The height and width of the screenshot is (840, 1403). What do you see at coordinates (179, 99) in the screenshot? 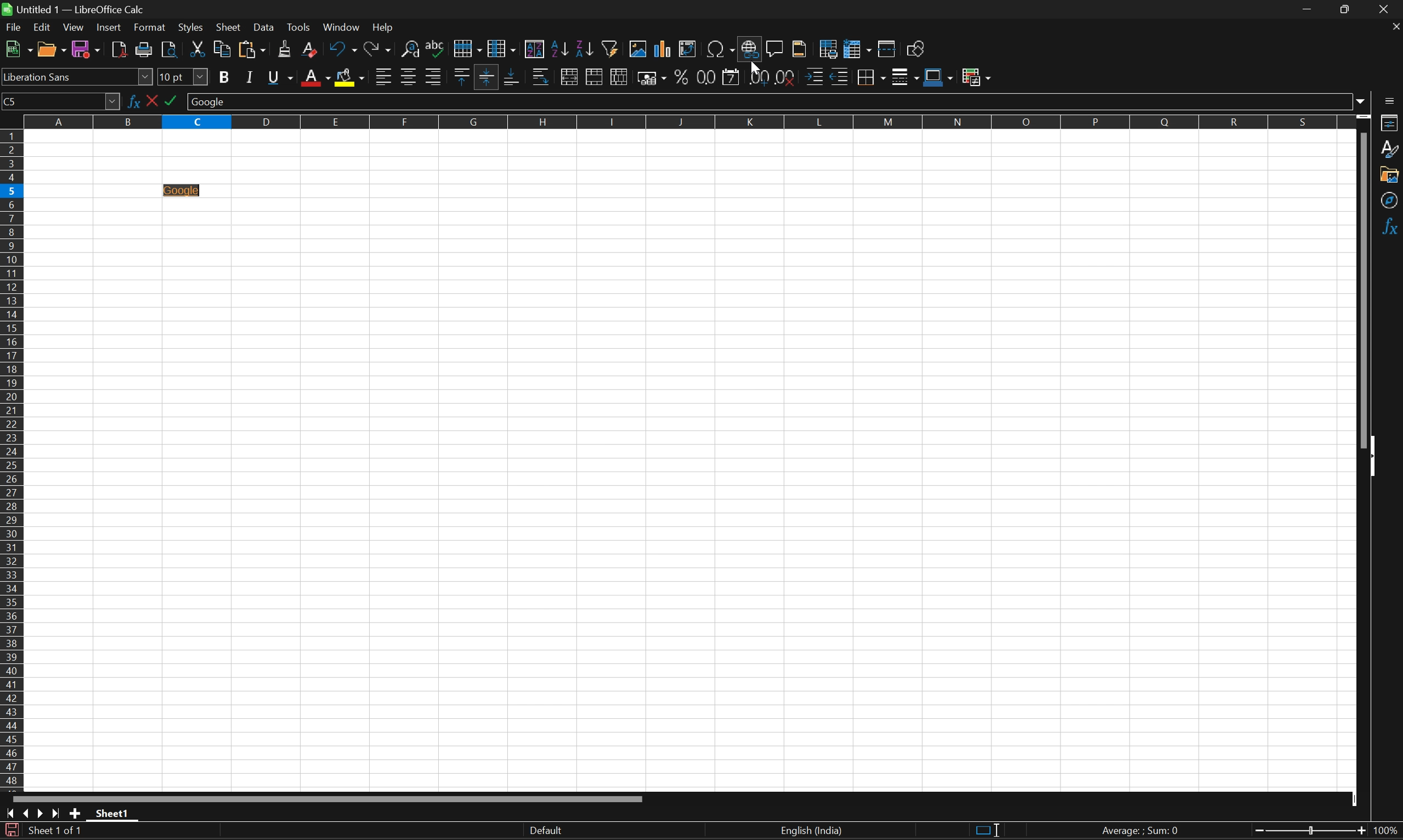
I see `Select formula` at bounding box center [179, 99].